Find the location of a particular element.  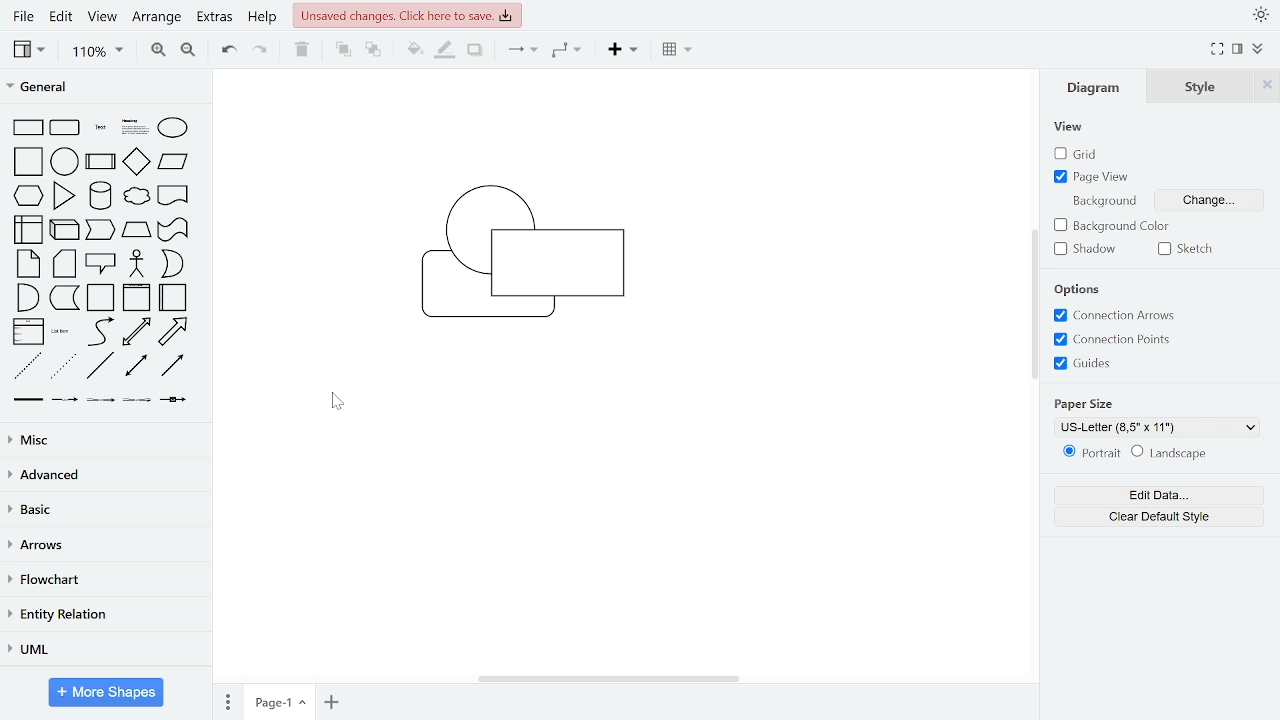

step is located at coordinates (101, 231).